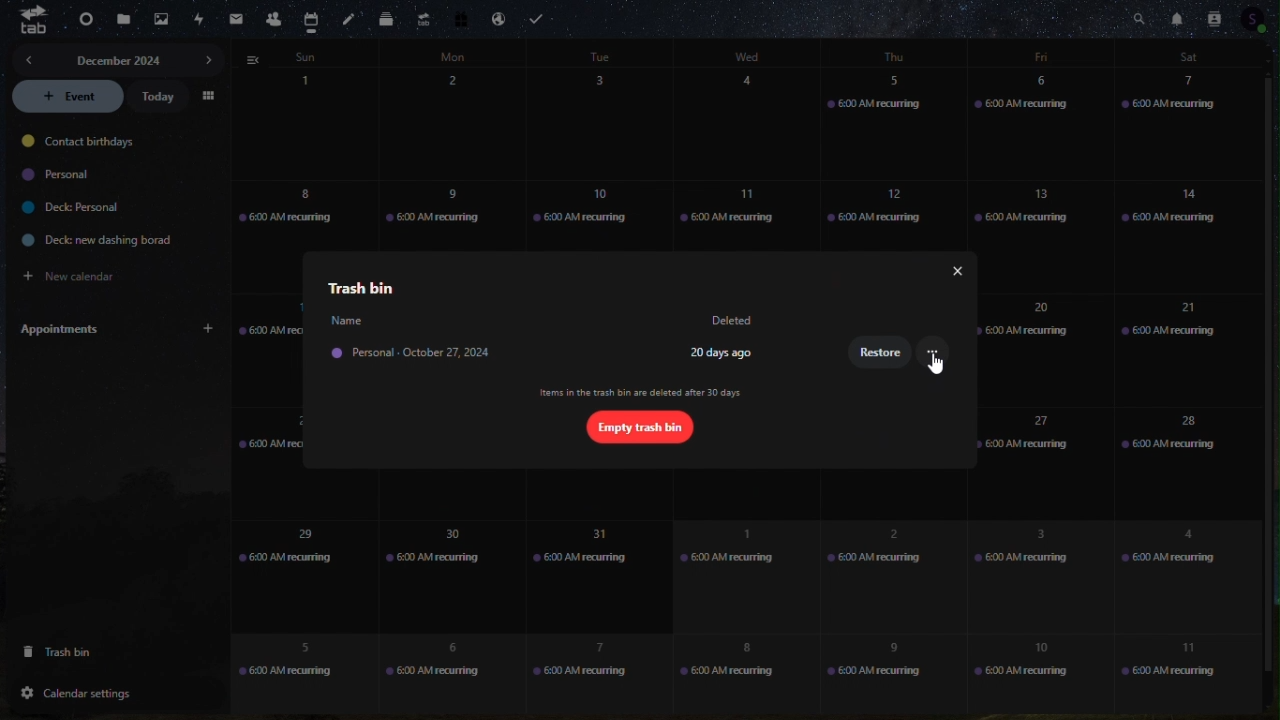 The height and width of the screenshot is (720, 1280). What do you see at coordinates (933, 353) in the screenshot?
I see `more options` at bounding box center [933, 353].